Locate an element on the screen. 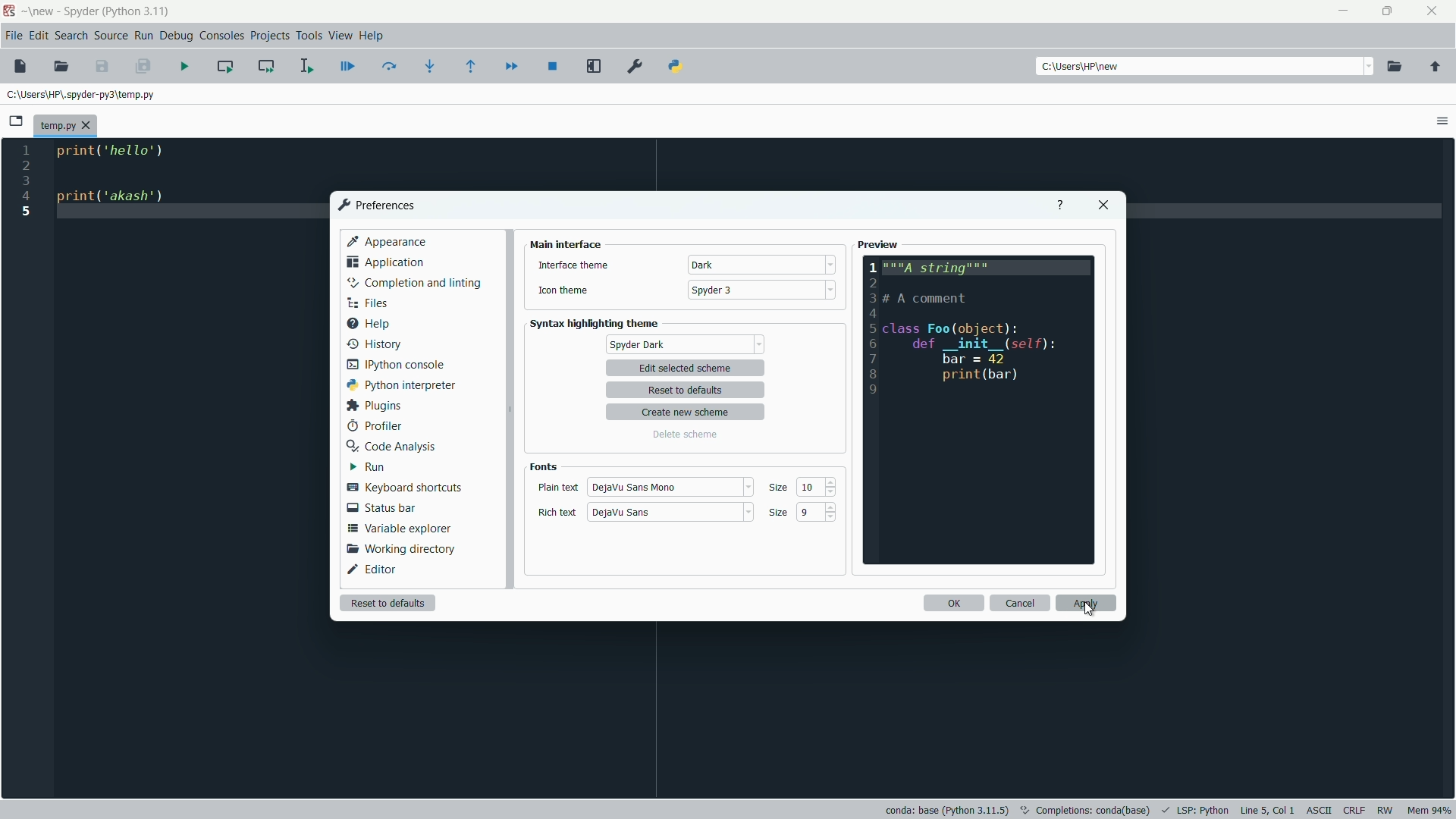  apply is located at coordinates (1087, 603).